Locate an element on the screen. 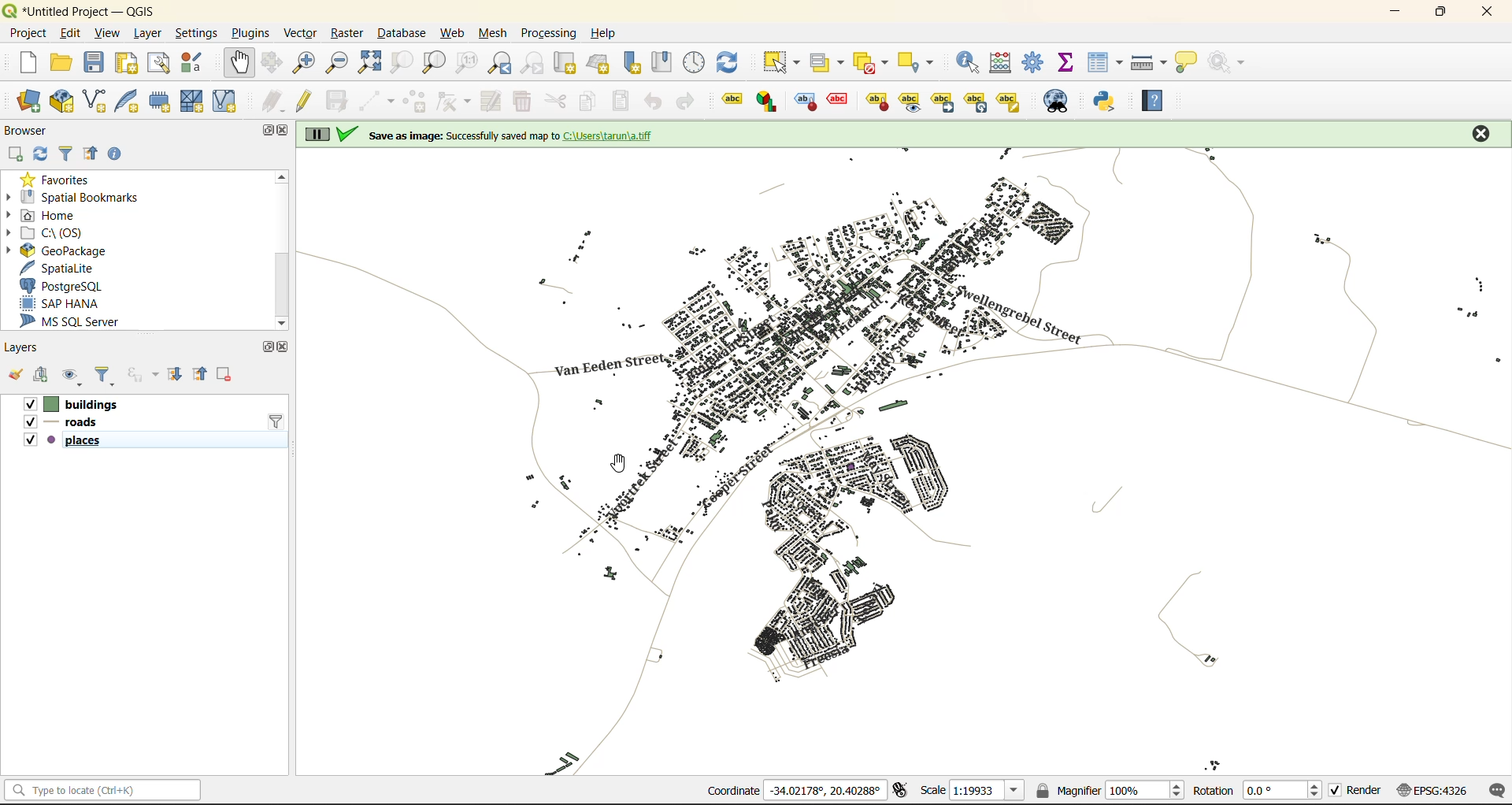 The image size is (1512, 805). Move a label, diagrams or callout is located at coordinates (943, 101).